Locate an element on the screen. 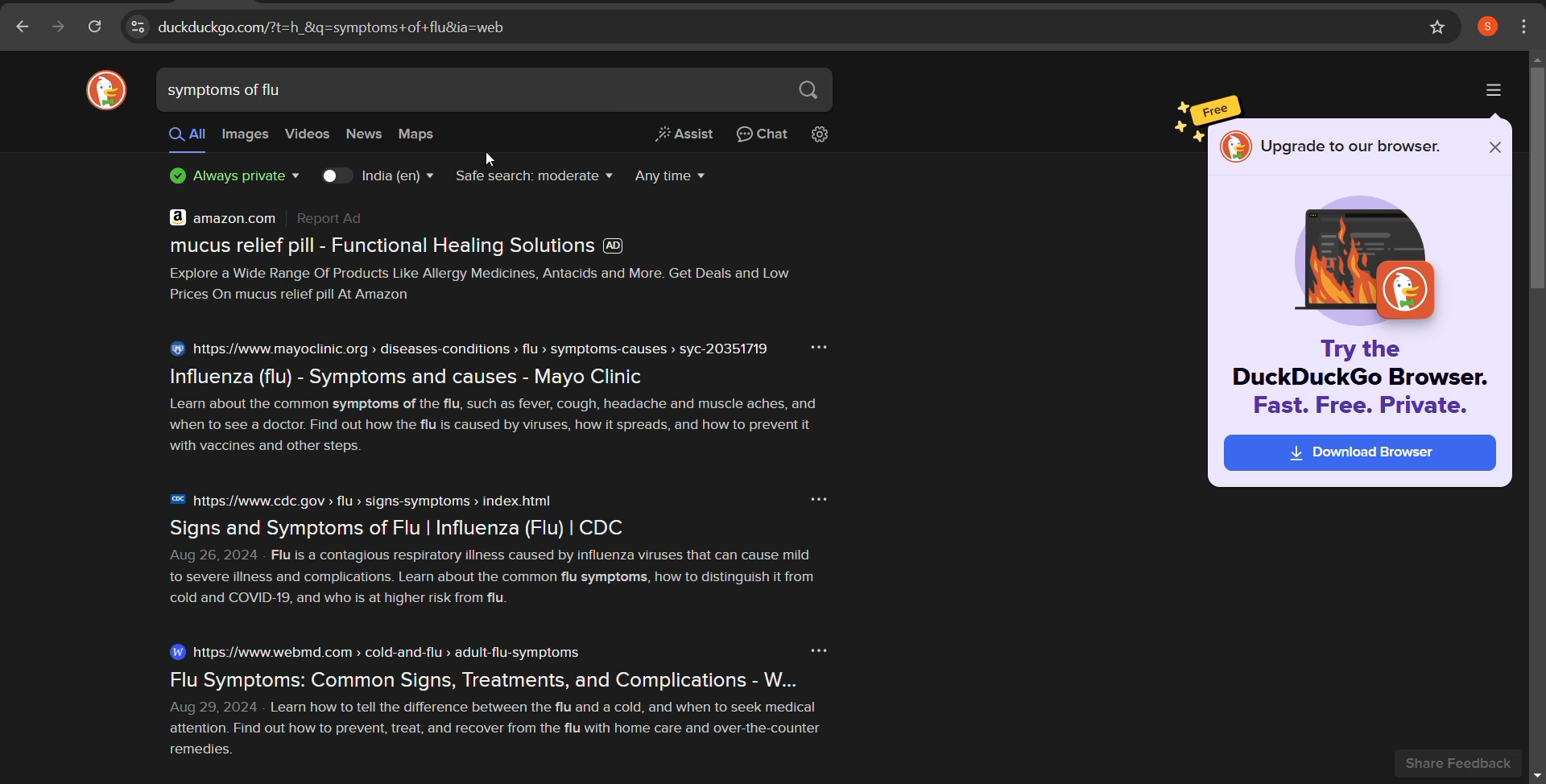 The image size is (1546, 784). results timeline is located at coordinates (672, 176).